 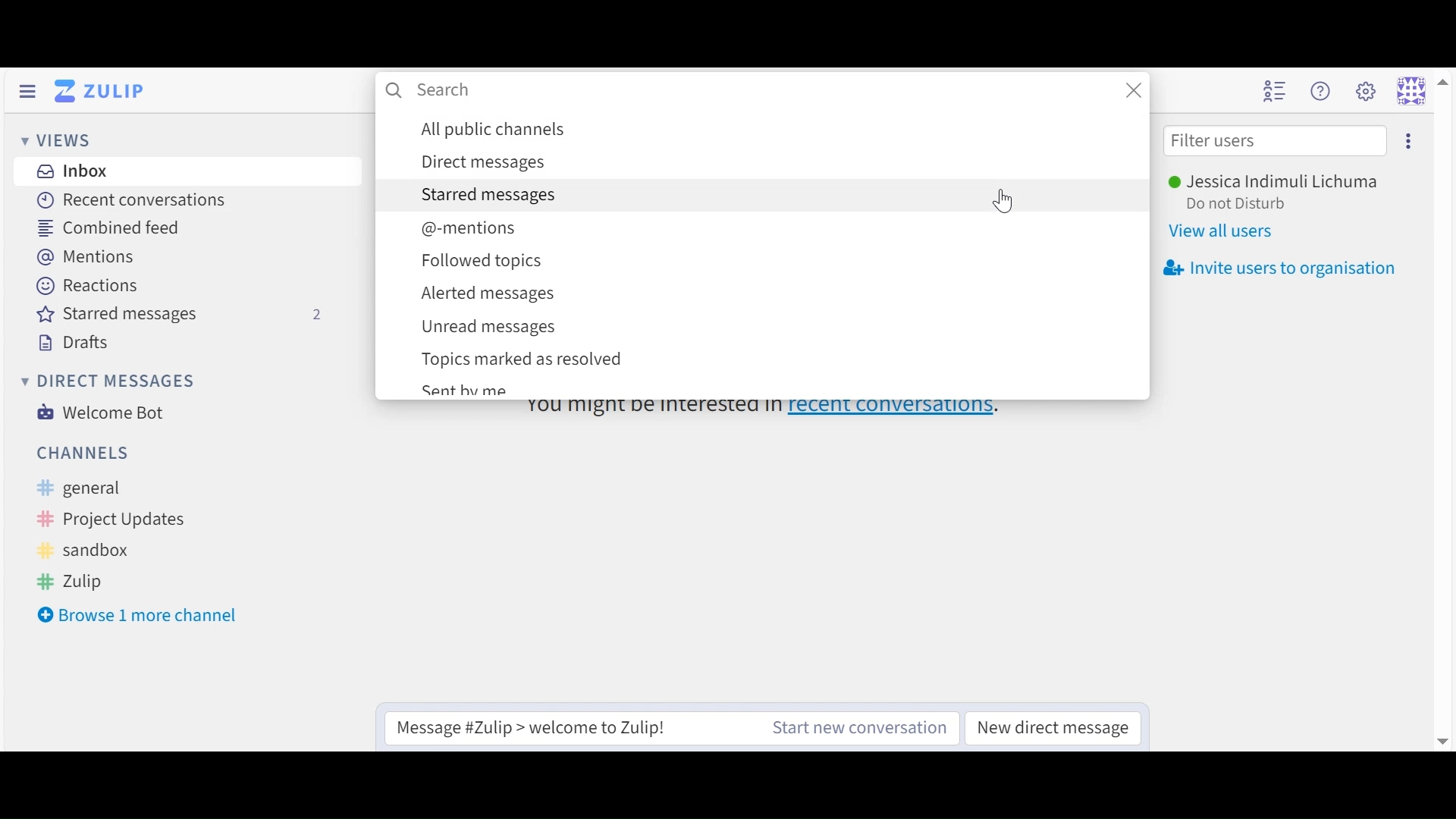 I want to click on Direct messages, so click(x=107, y=379).